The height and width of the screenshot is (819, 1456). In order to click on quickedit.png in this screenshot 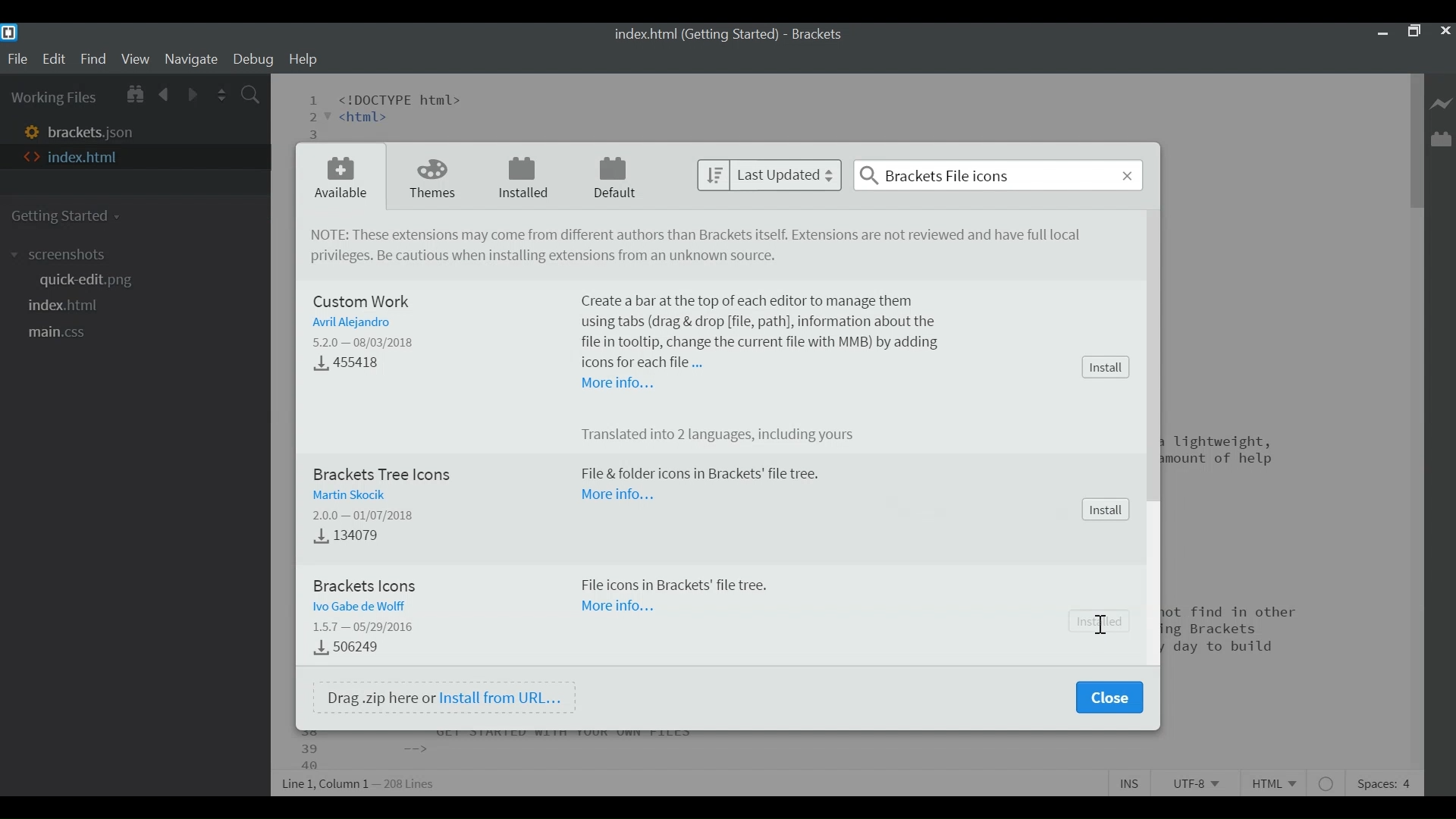, I will do `click(85, 281)`.